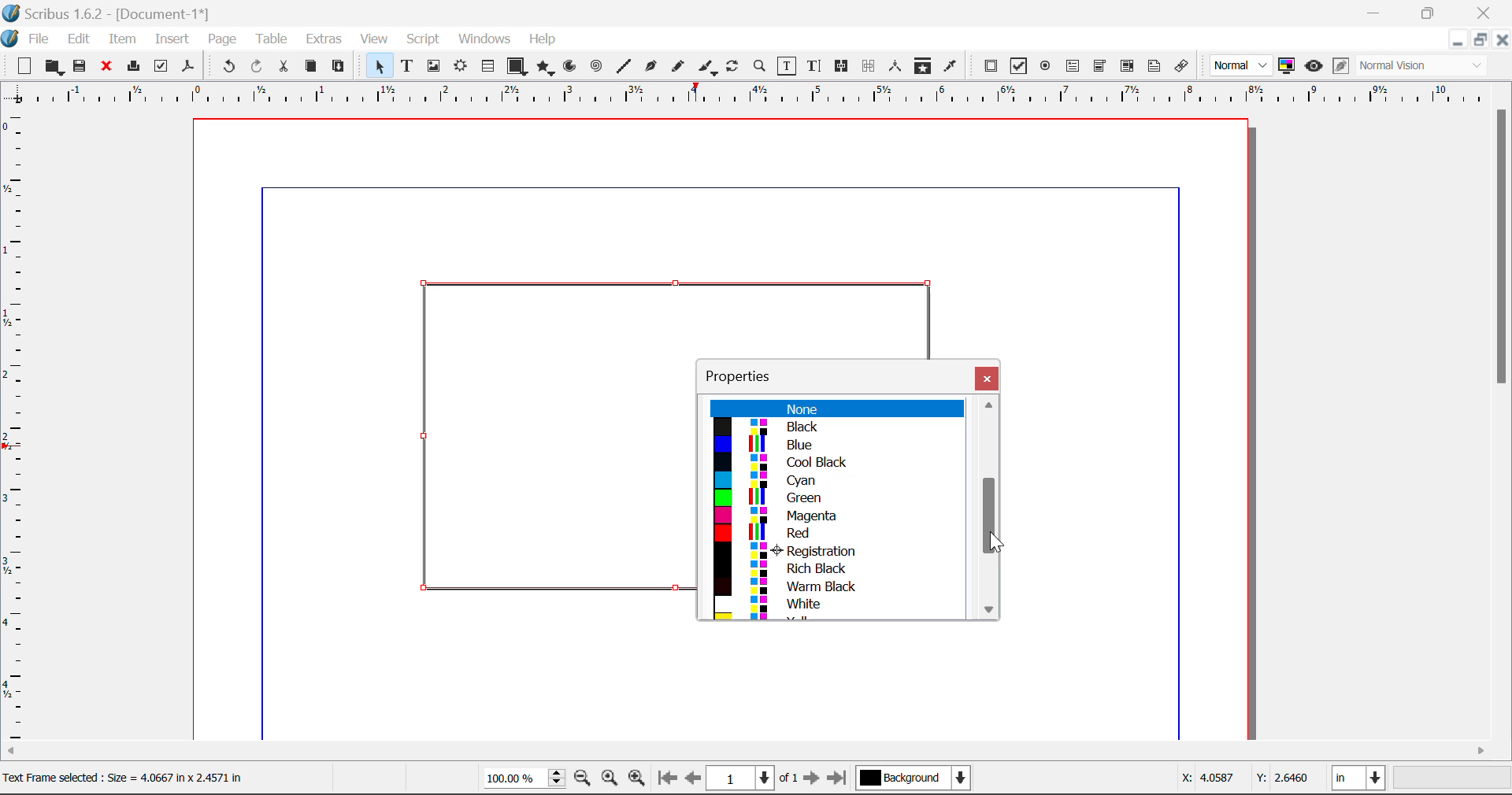  I want to click on Undo, so click(226, 67).